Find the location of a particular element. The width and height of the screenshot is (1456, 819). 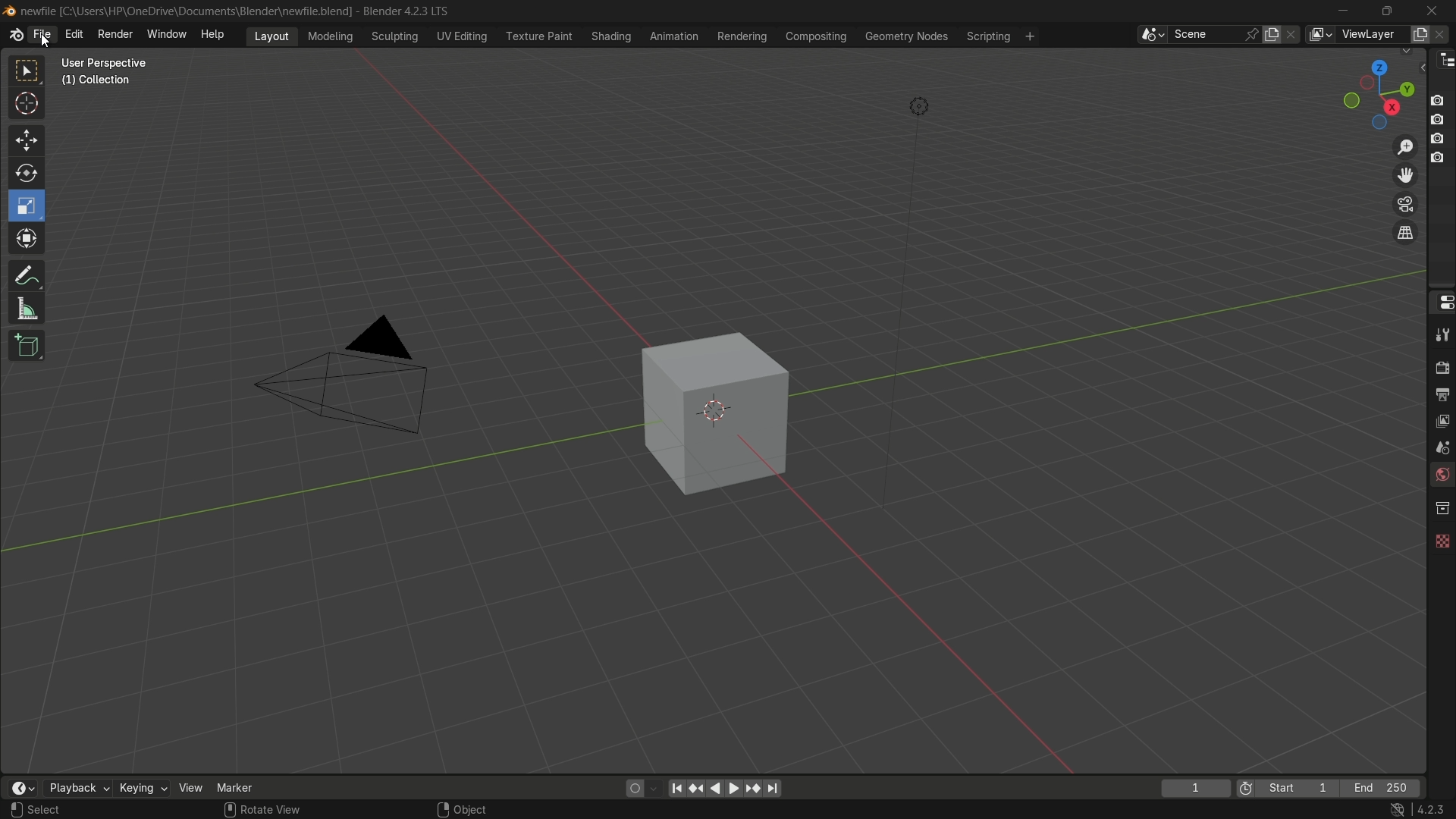

geometry nodes menu is located at coordinates (905, 36).